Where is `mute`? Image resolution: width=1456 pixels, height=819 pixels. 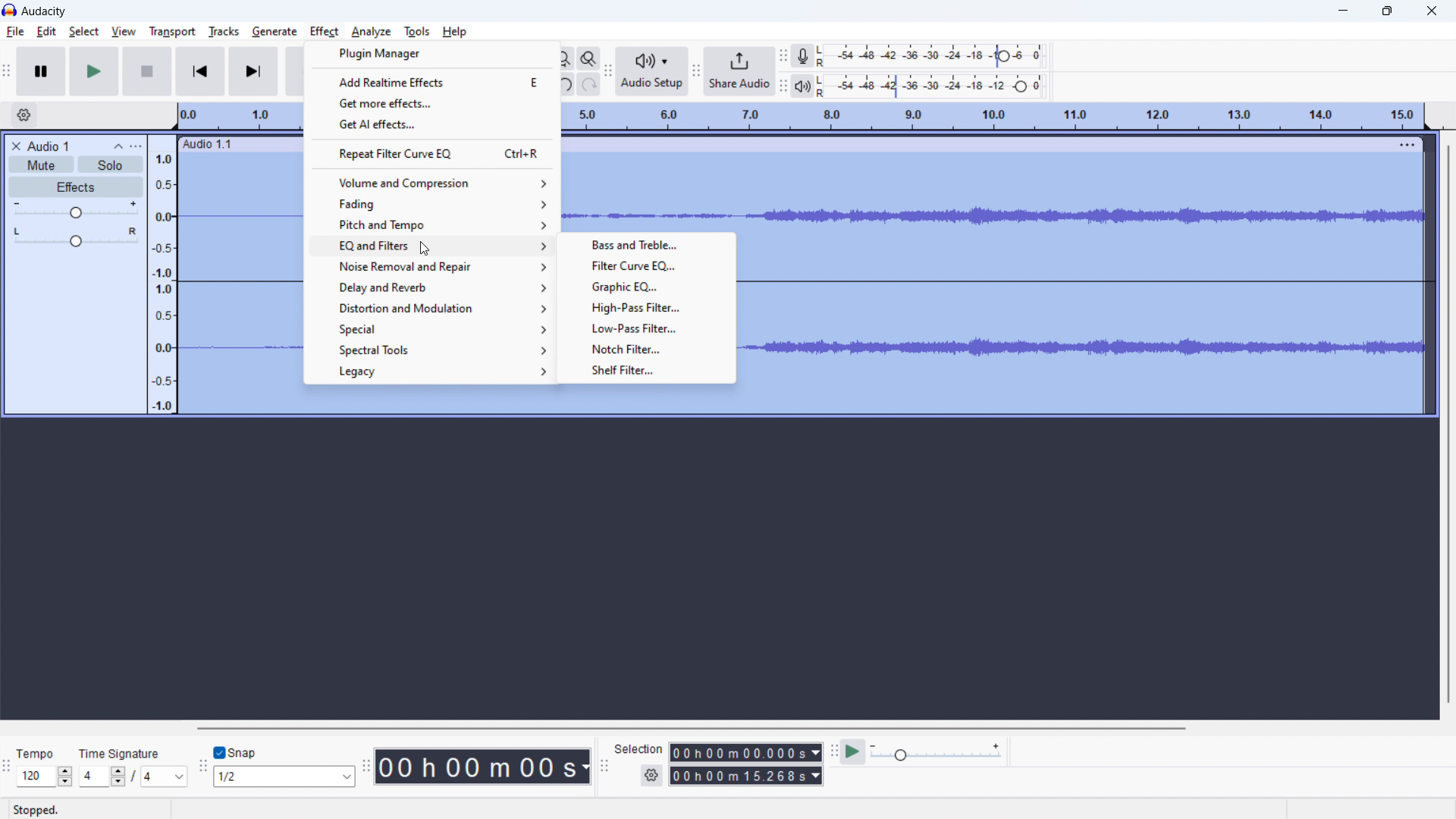 mute is located at coordinates (41, 164).